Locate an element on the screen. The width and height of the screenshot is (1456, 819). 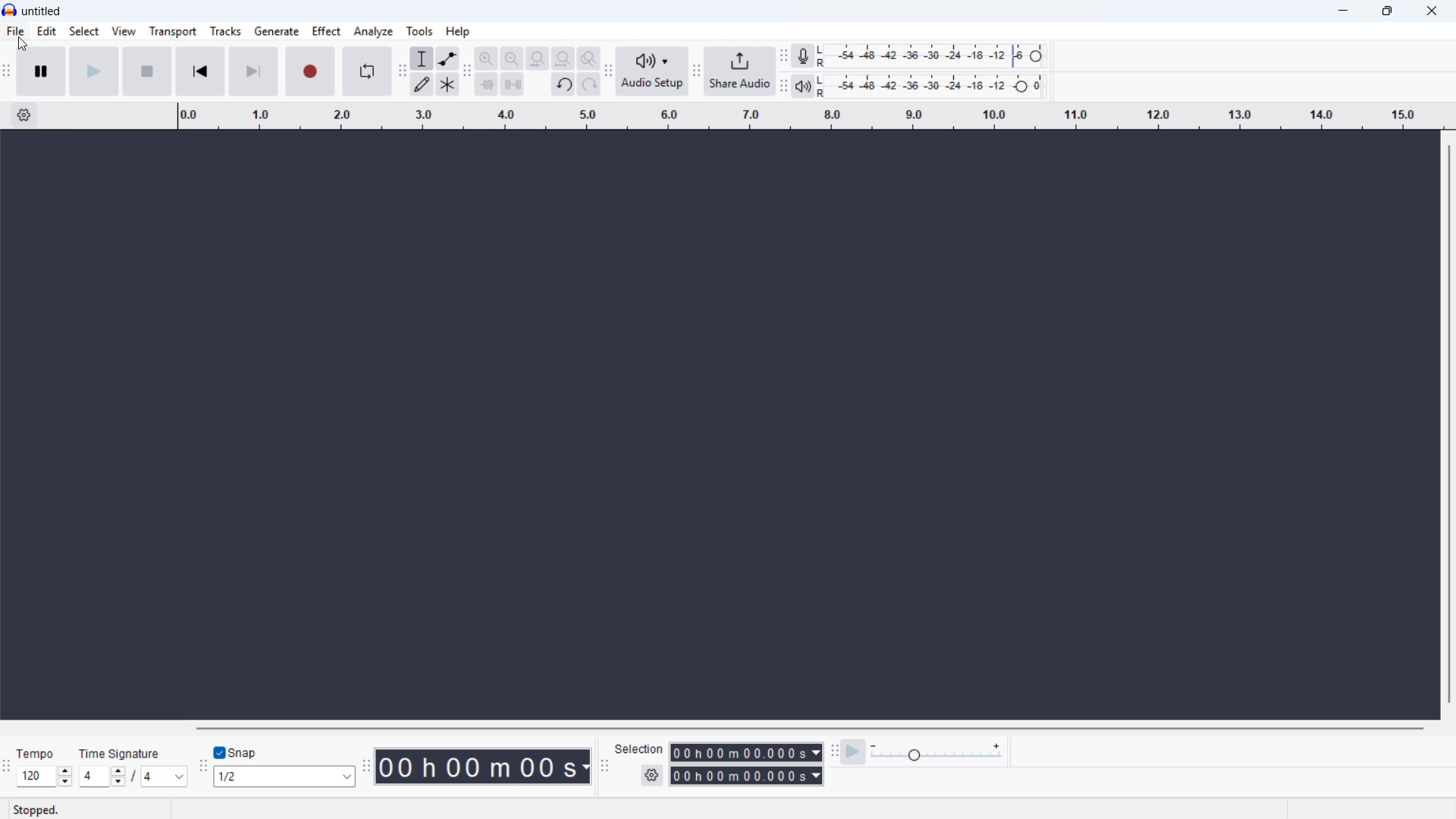
Share audio toolbar  is located at coordinates (695, 73).